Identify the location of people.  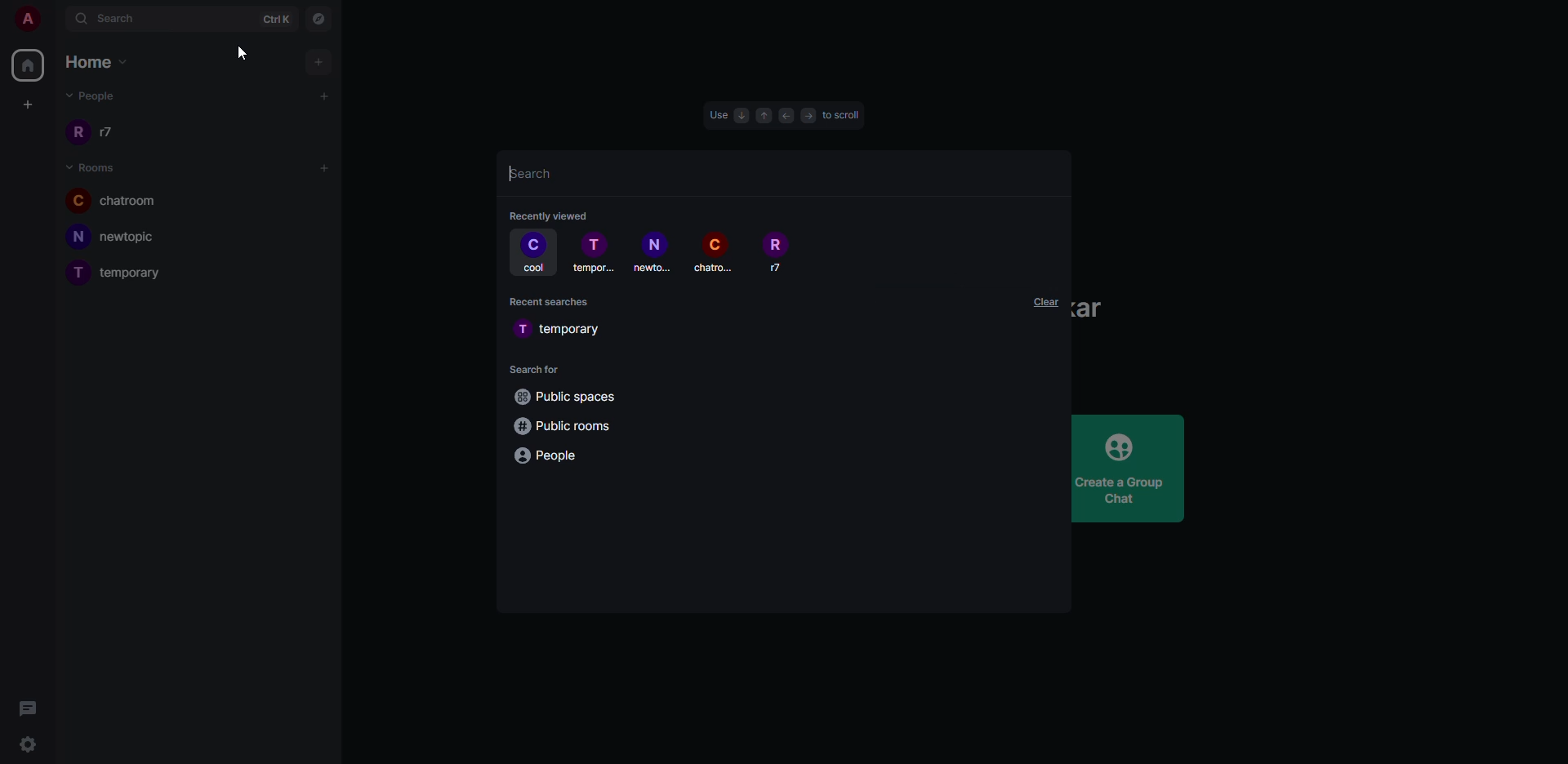
(552, 455).